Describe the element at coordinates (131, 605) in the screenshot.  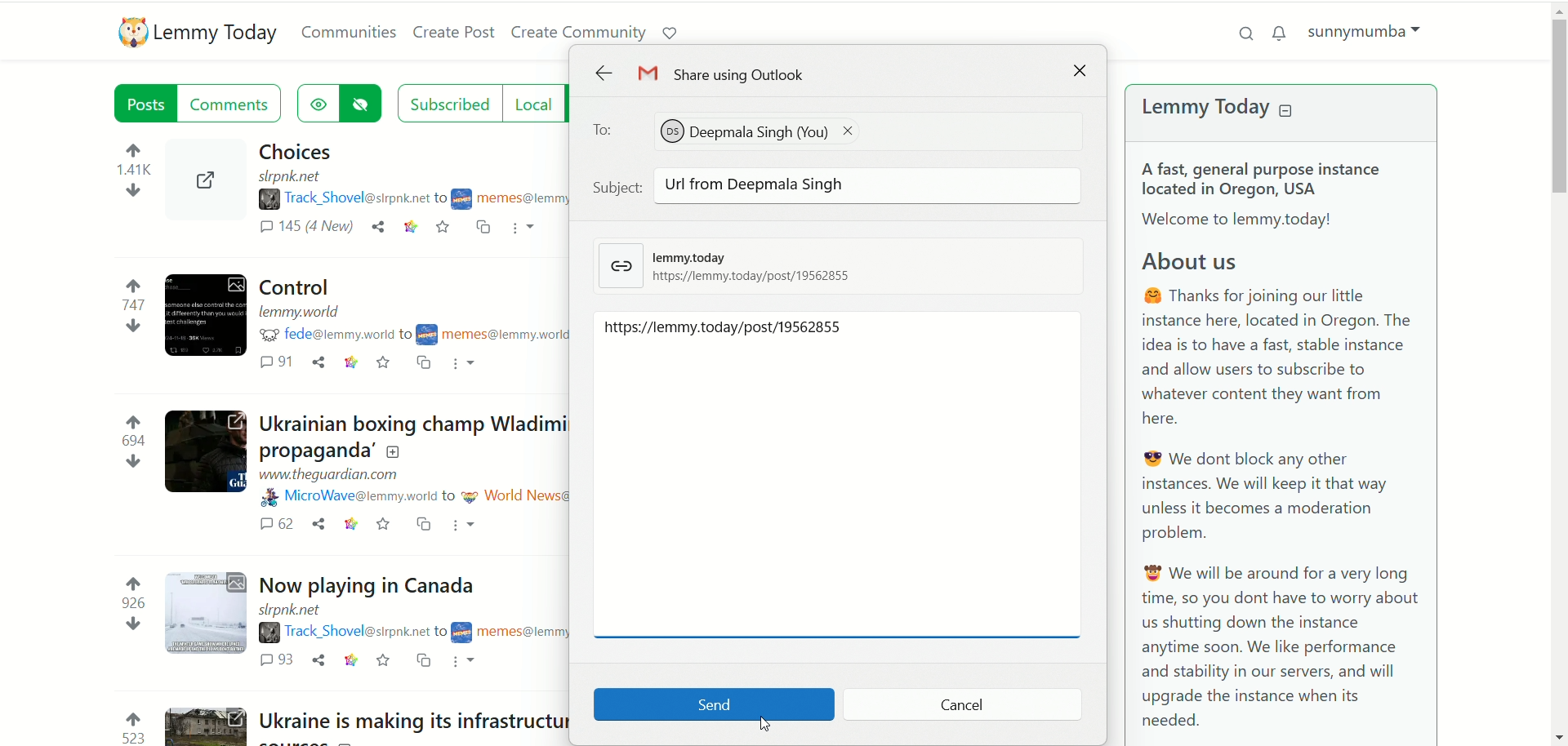
I see `votes up and down` at that location.